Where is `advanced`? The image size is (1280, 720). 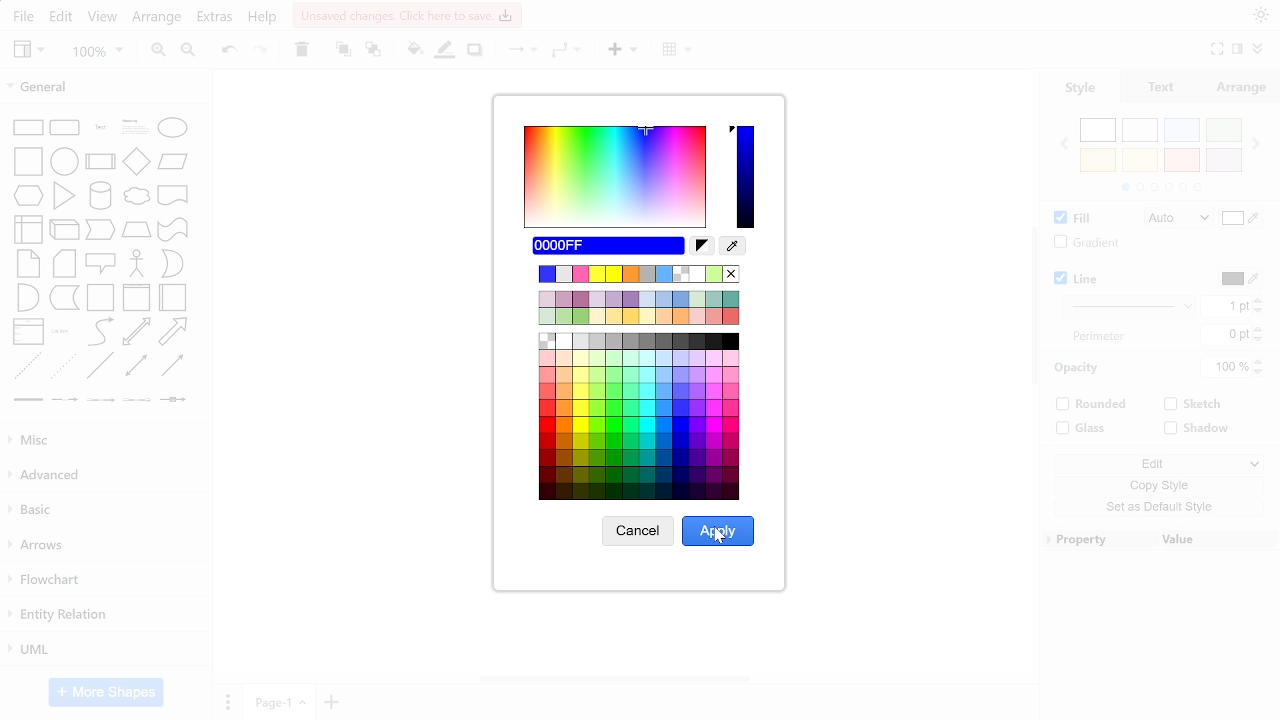
advanced is located at coordinates (103, 476).